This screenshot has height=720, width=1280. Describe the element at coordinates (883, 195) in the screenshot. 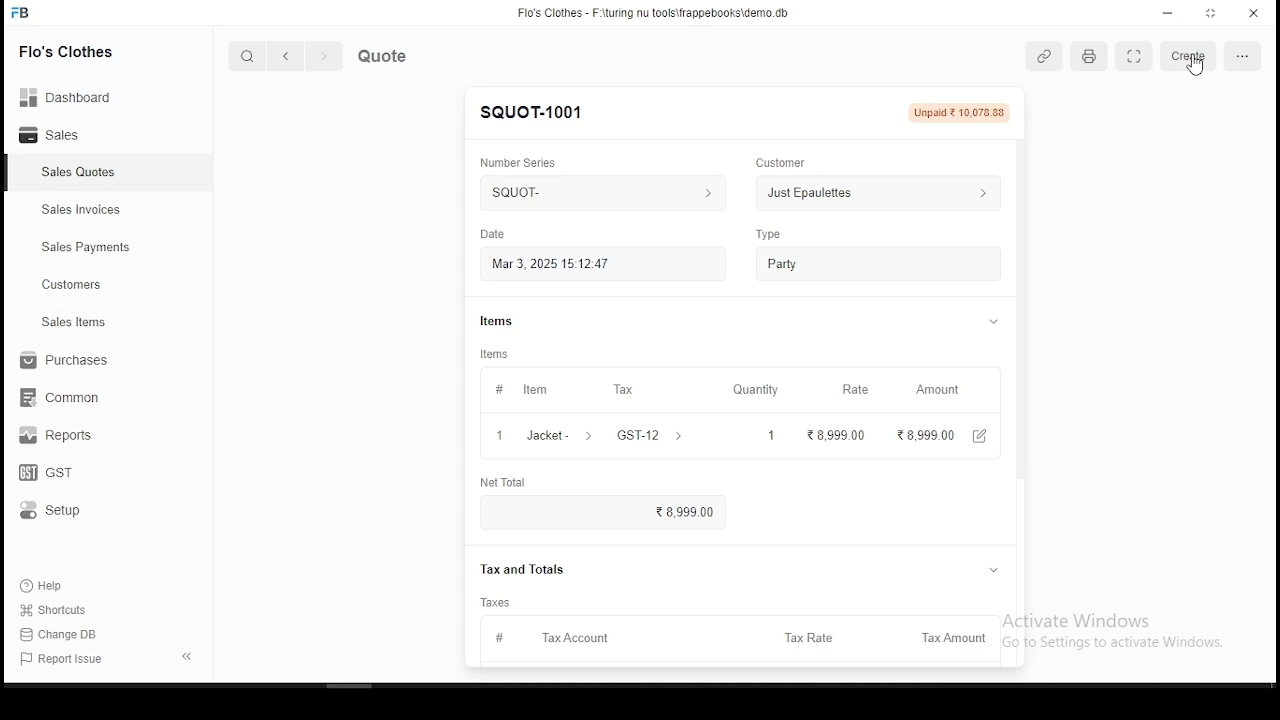

I see `Just Epaulettes >` at that location.